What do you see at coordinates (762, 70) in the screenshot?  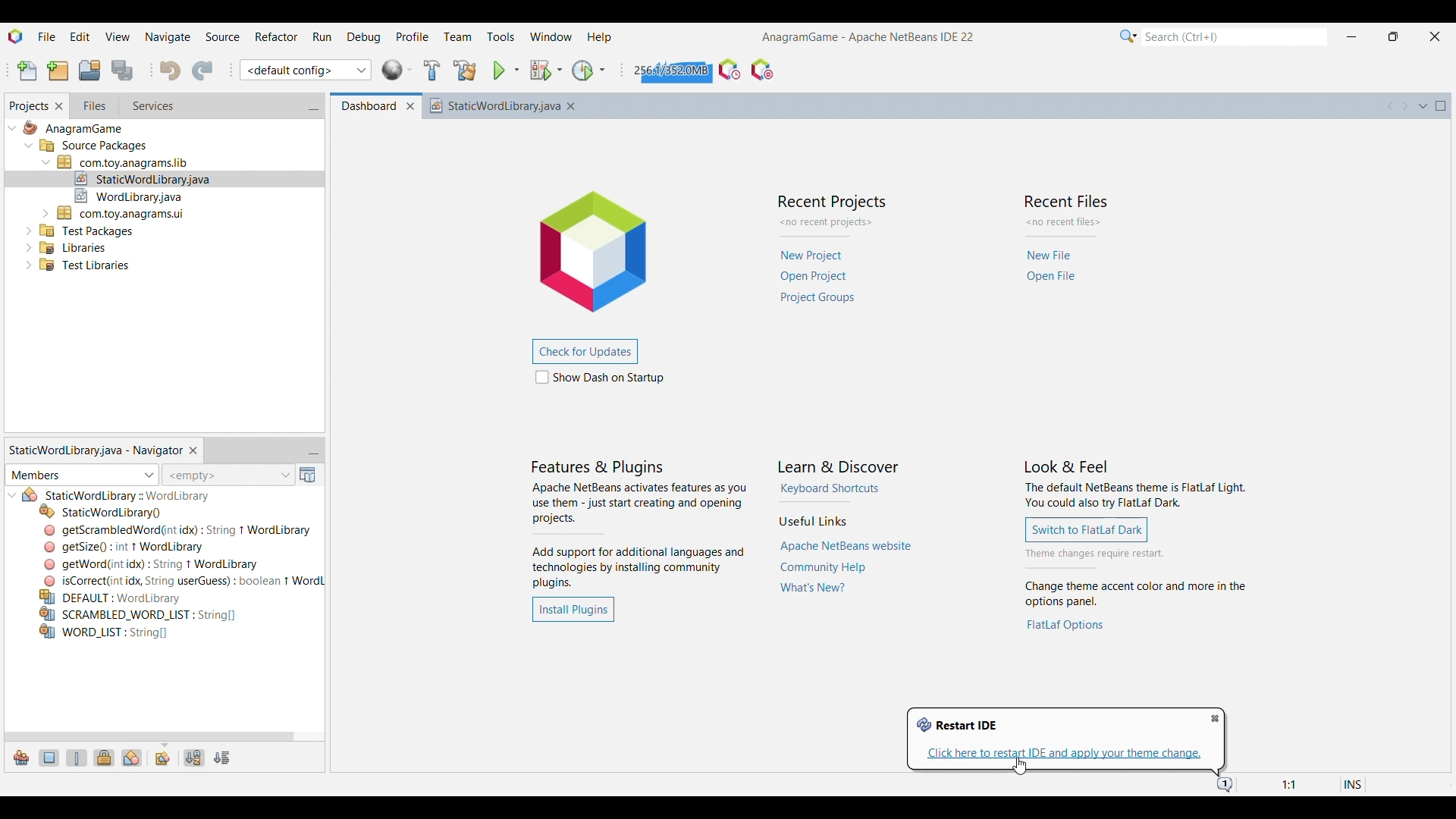 I see `Pause I/O checks` at bounding box center [762, 70].